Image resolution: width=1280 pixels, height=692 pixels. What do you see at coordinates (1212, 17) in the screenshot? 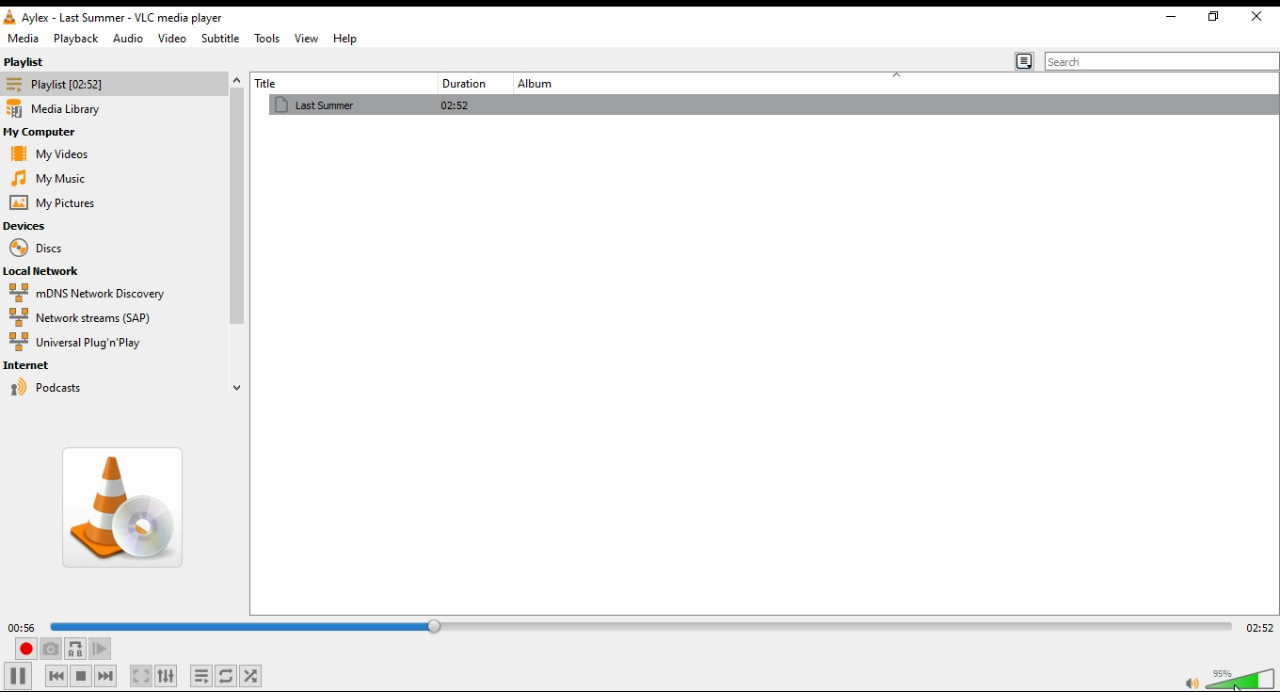
I see `restore` at bounding box center [1212, 17].